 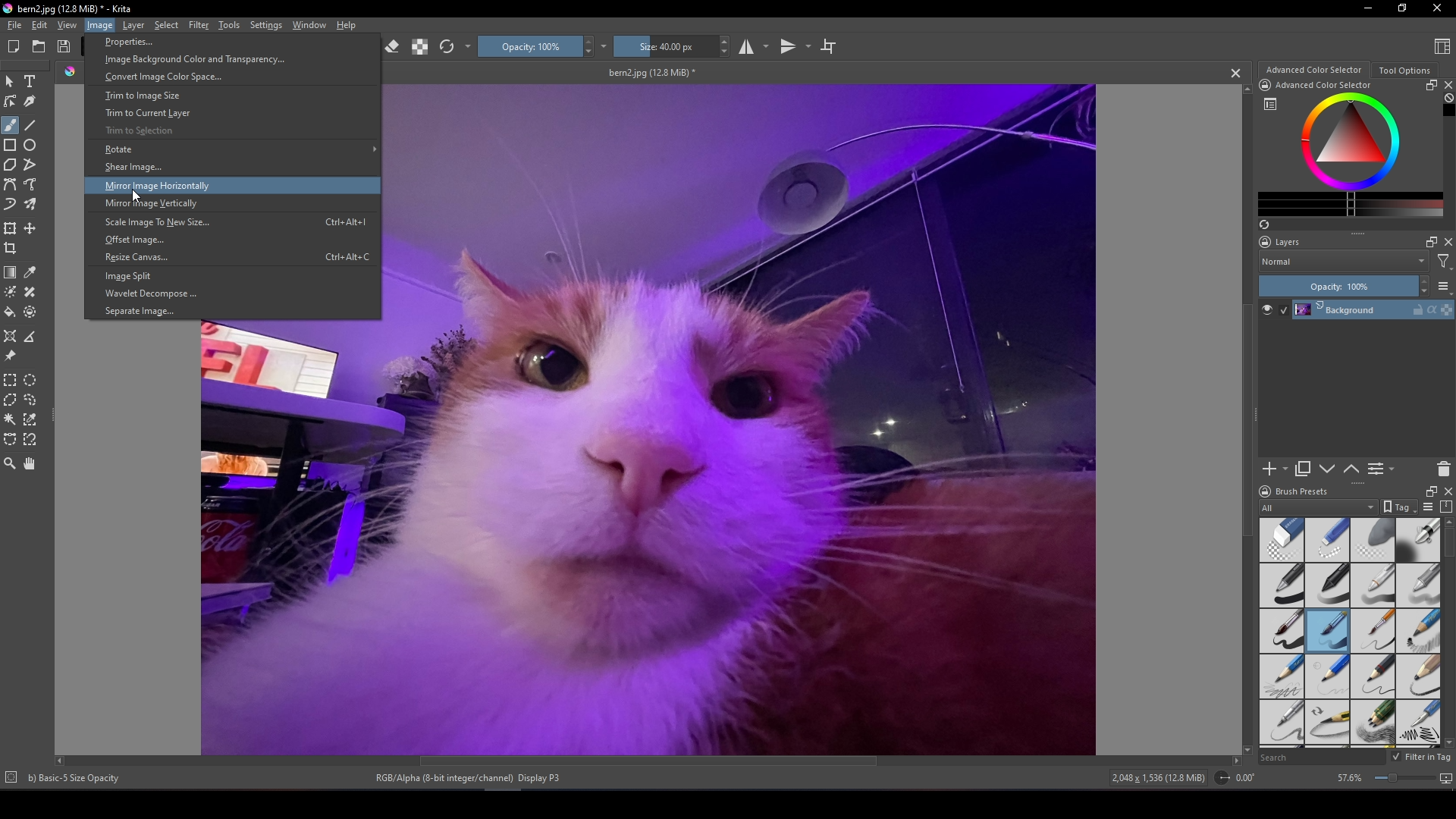 I want to click on Move a layer, so click(x=30, y=228).